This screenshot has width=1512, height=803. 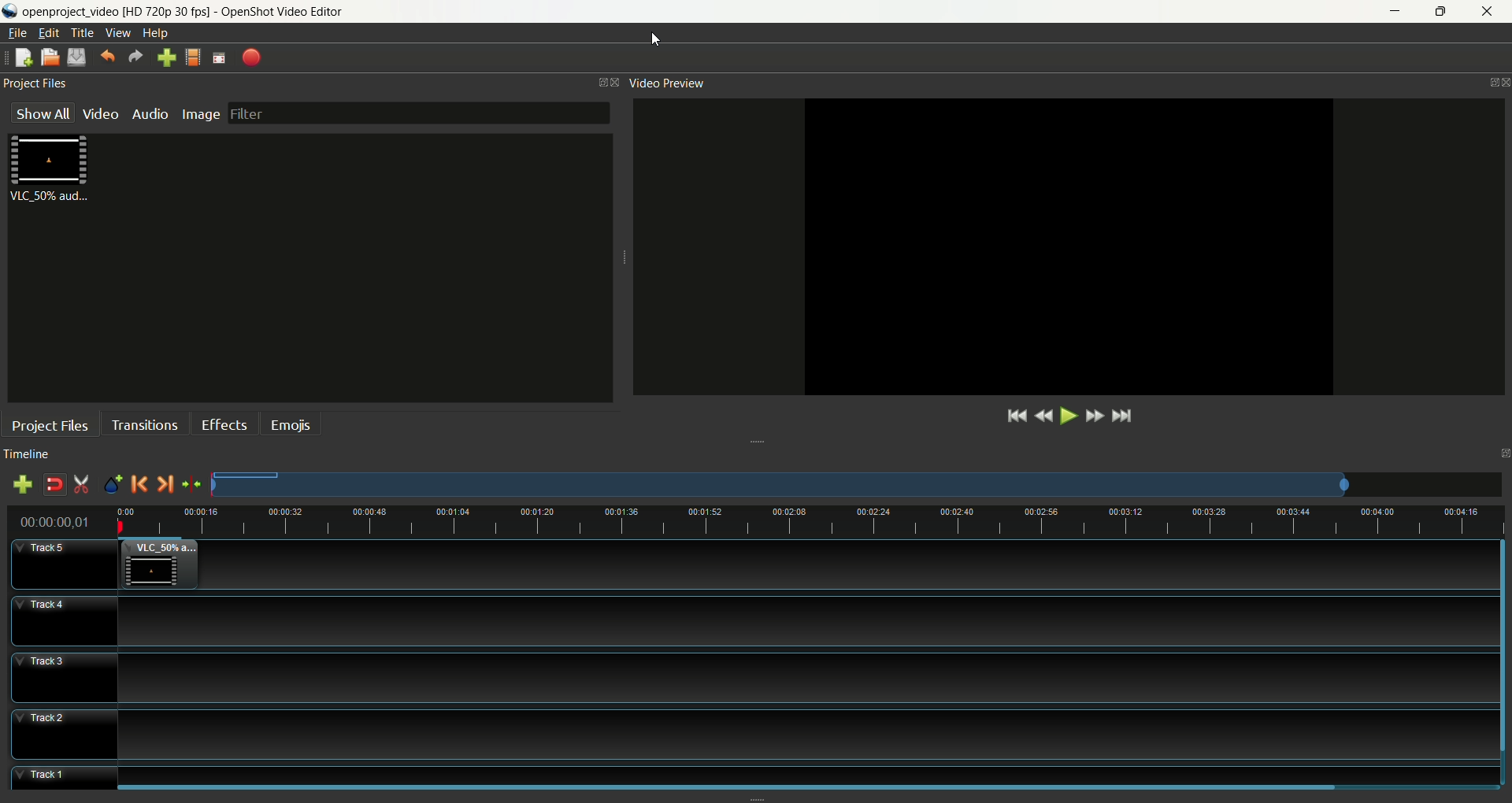 What do you see at coordinates (27, 455) in the screenshot?
I see `timeline` at bounding box center [27, 455].